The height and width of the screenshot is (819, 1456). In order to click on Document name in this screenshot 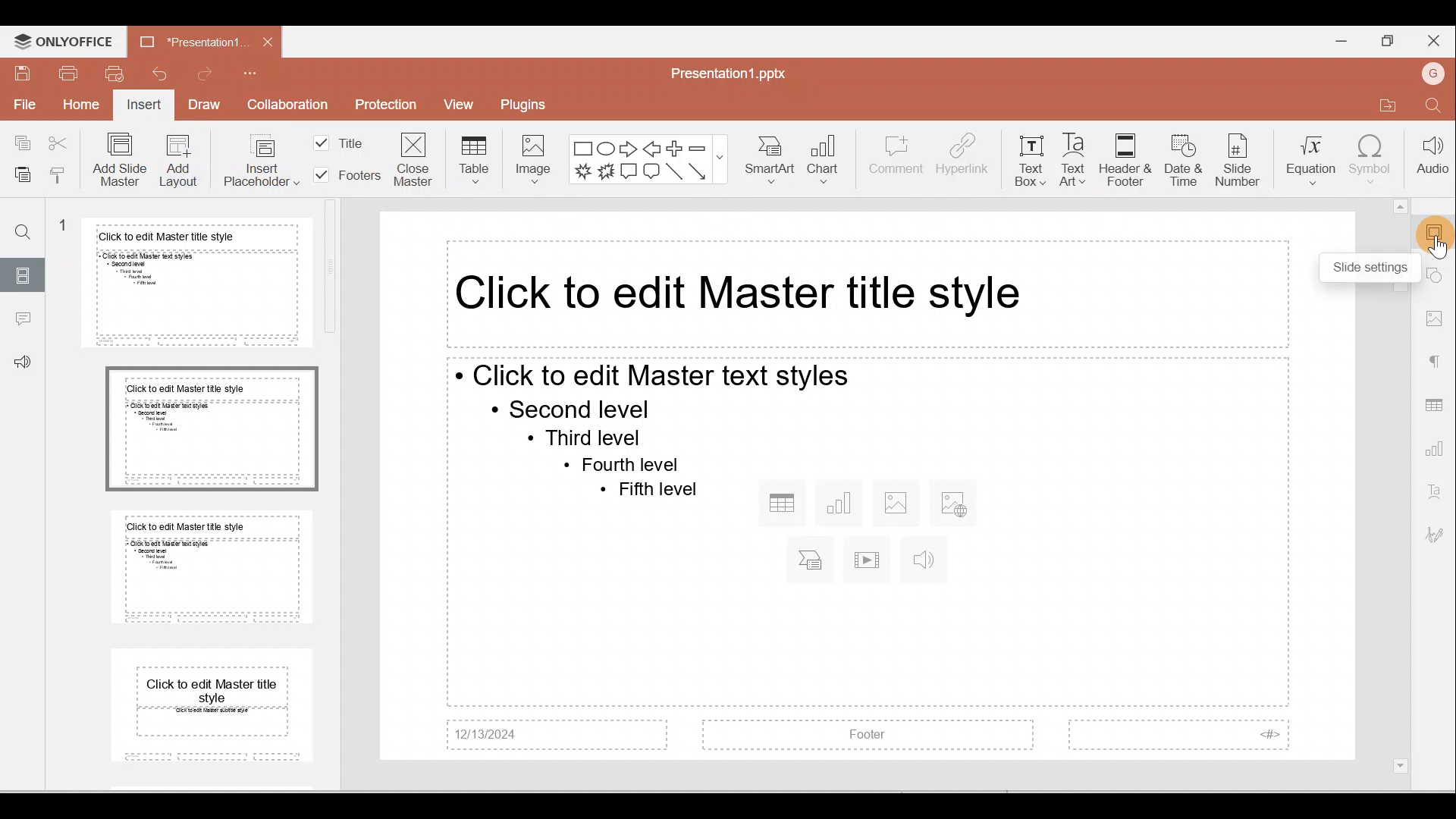, I will do `click(729, 70)`.